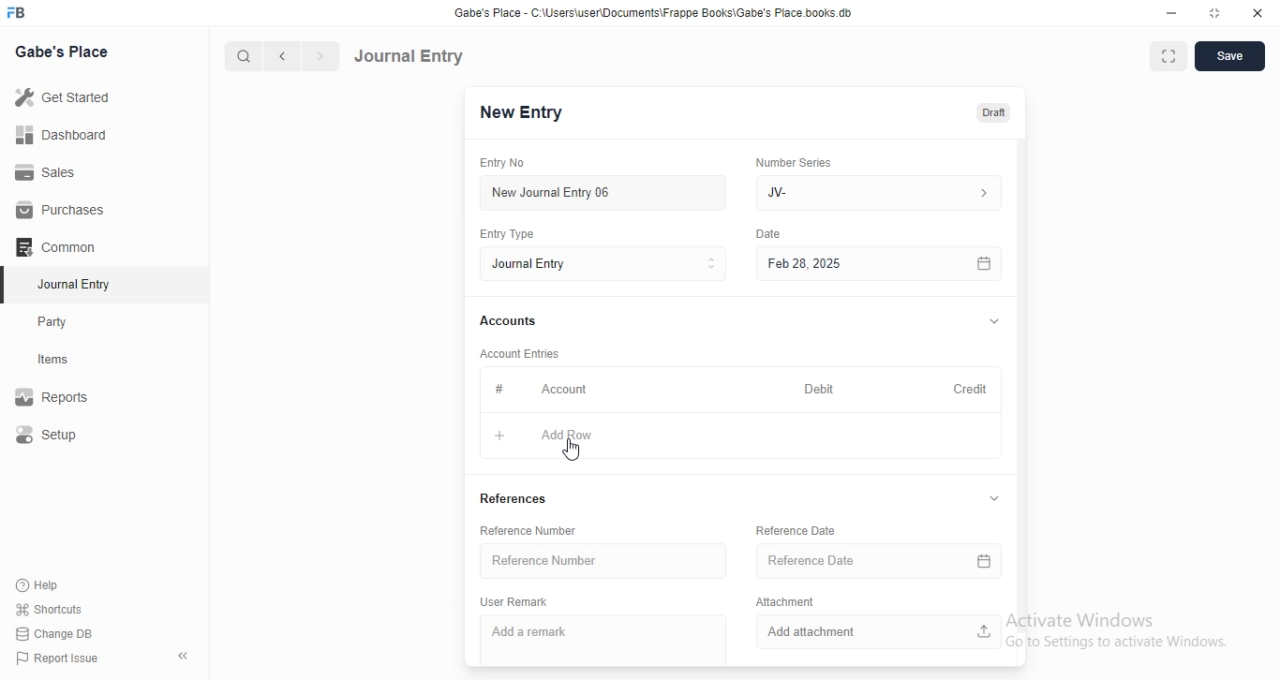 The image size is (1280, 680). I want to click on Reference Date, so click(809, 530).